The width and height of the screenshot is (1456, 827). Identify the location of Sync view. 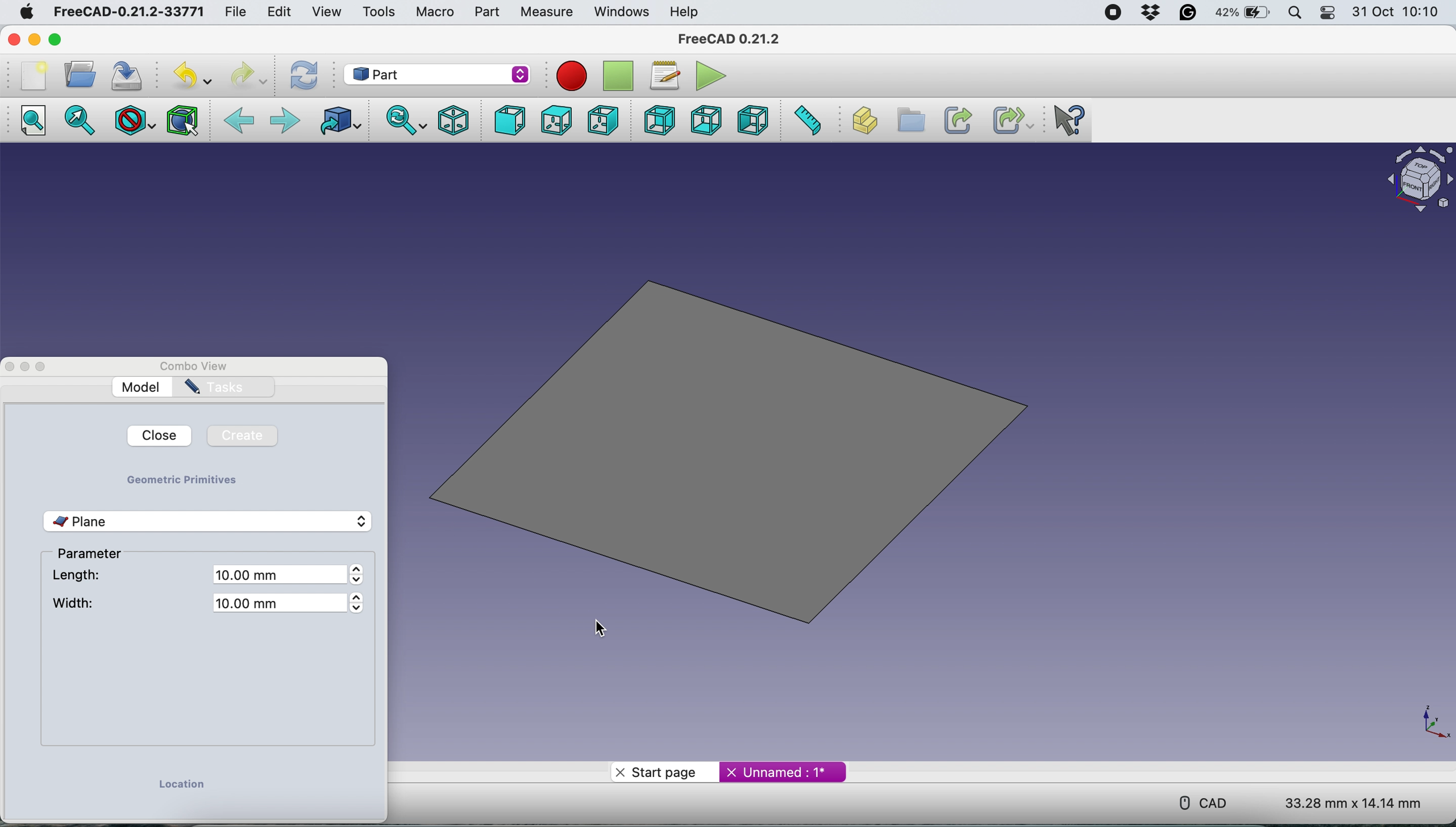
(406, 118).